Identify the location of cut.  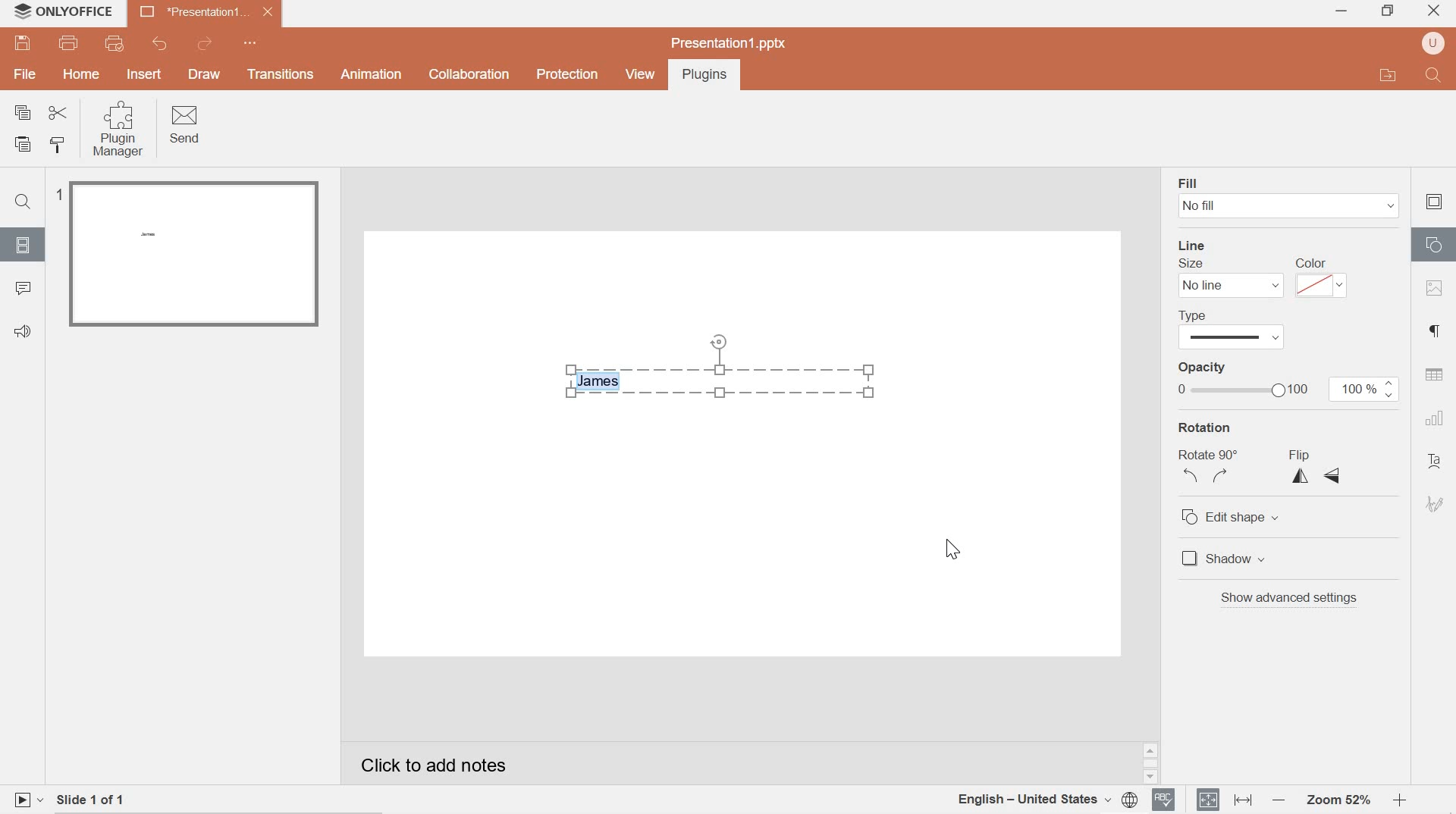
(58, 112).